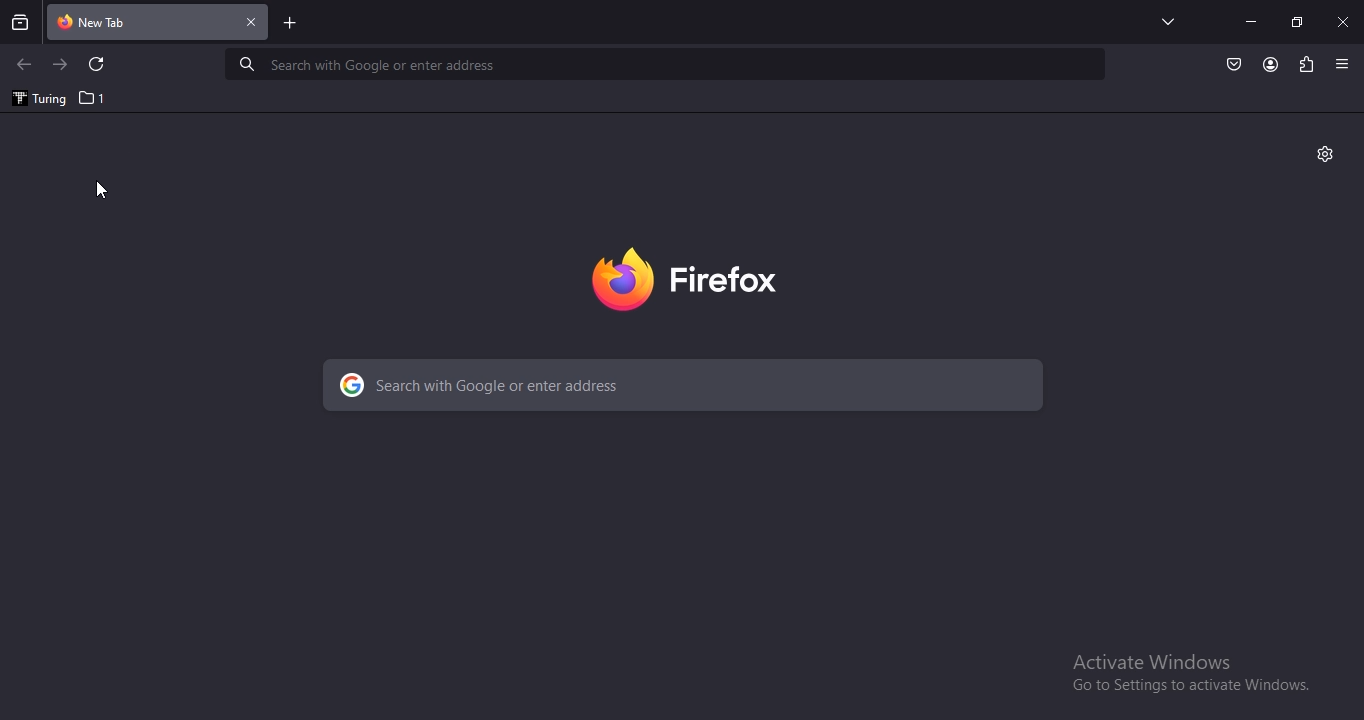  What do you see at coordinates (1269, 66) in the screenshot?
I see `account profile` at bounding box center [1269, 66].